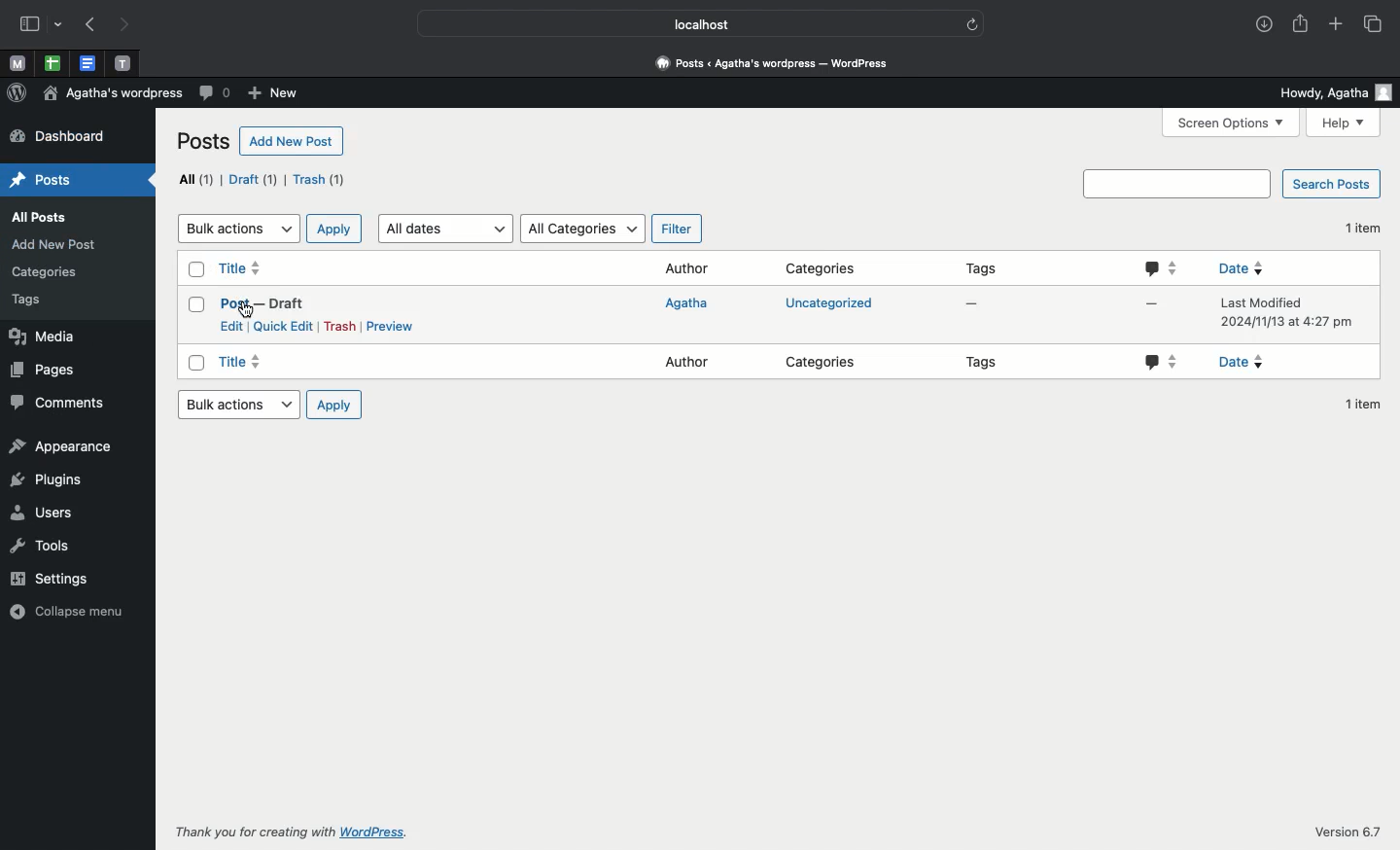 This screenshot has height=850, width=1400. What do you see at coordinates (1242, 270) in the screenshot?
I see `Date` at bounding box center [1242, 270].